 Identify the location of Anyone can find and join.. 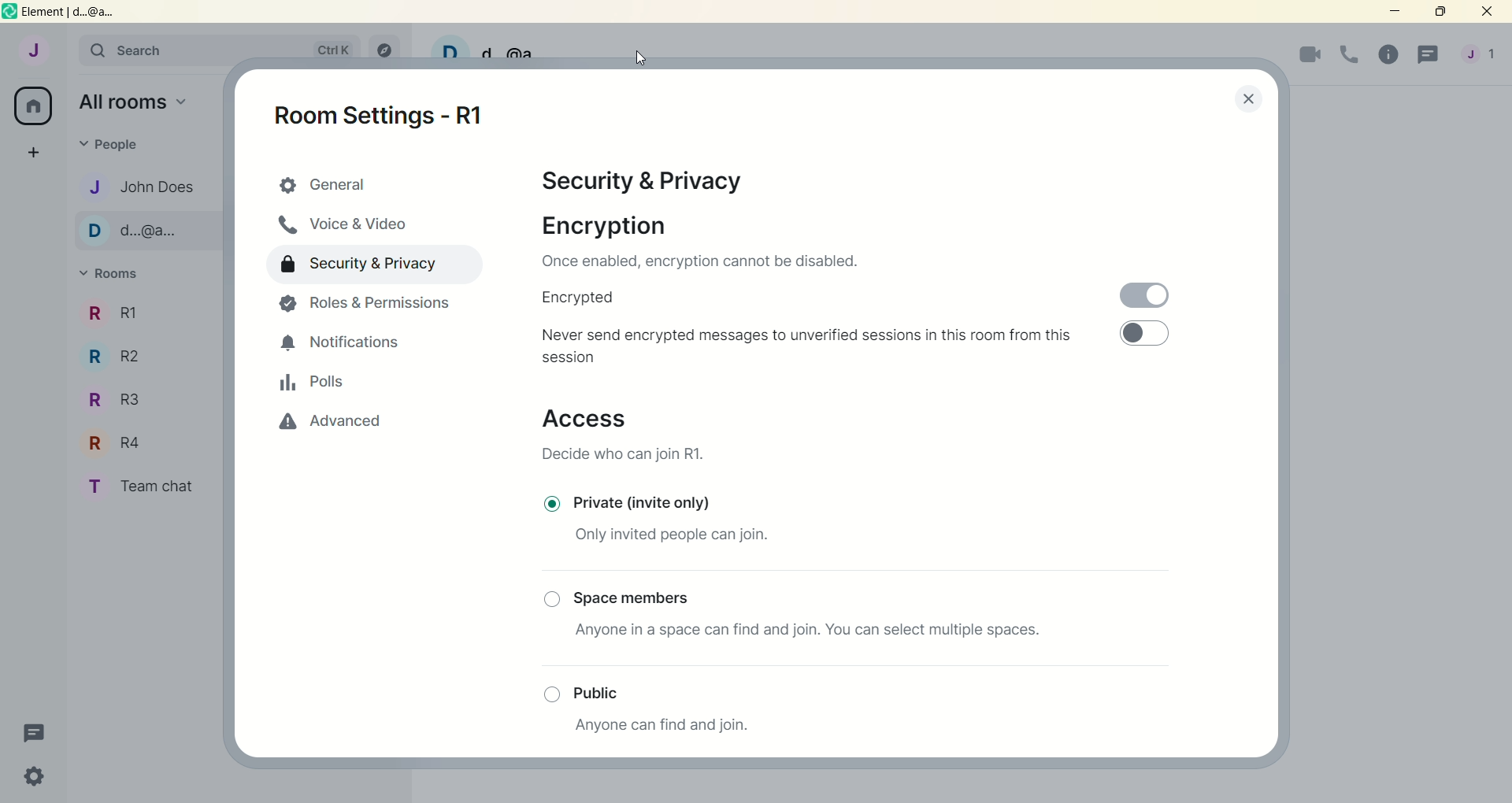
(687, 728).